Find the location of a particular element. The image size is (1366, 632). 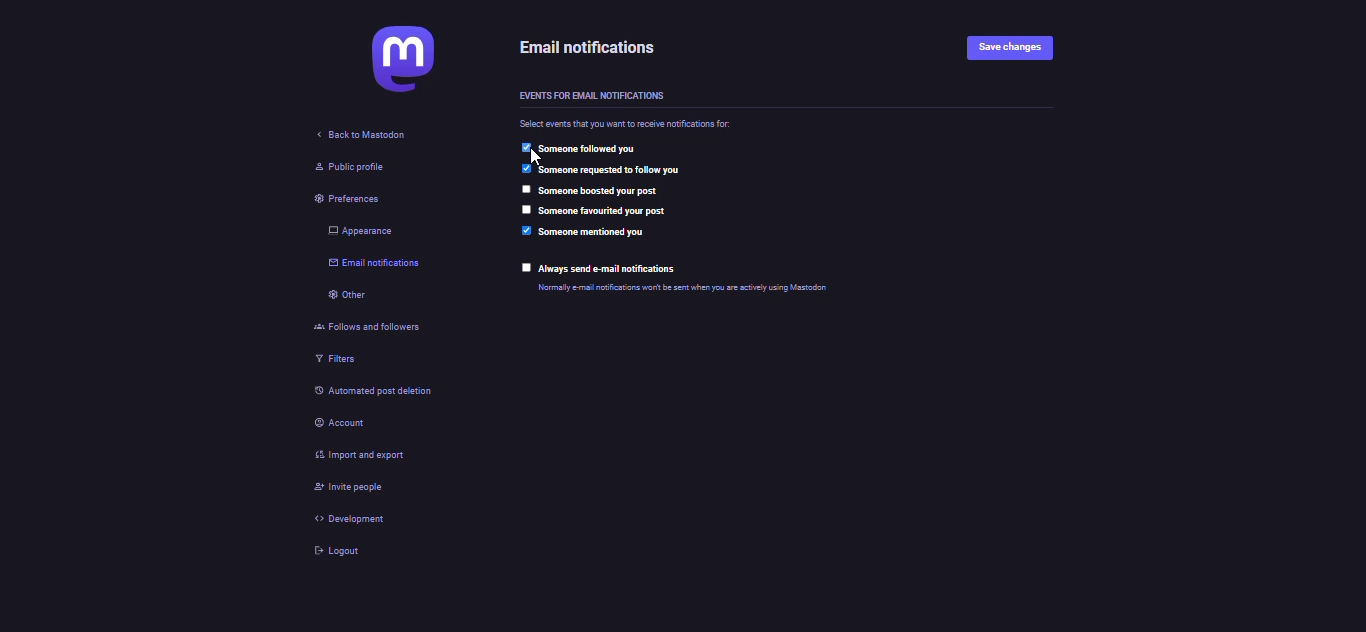

someone requested to follow you is located at coordinates (609, 170).